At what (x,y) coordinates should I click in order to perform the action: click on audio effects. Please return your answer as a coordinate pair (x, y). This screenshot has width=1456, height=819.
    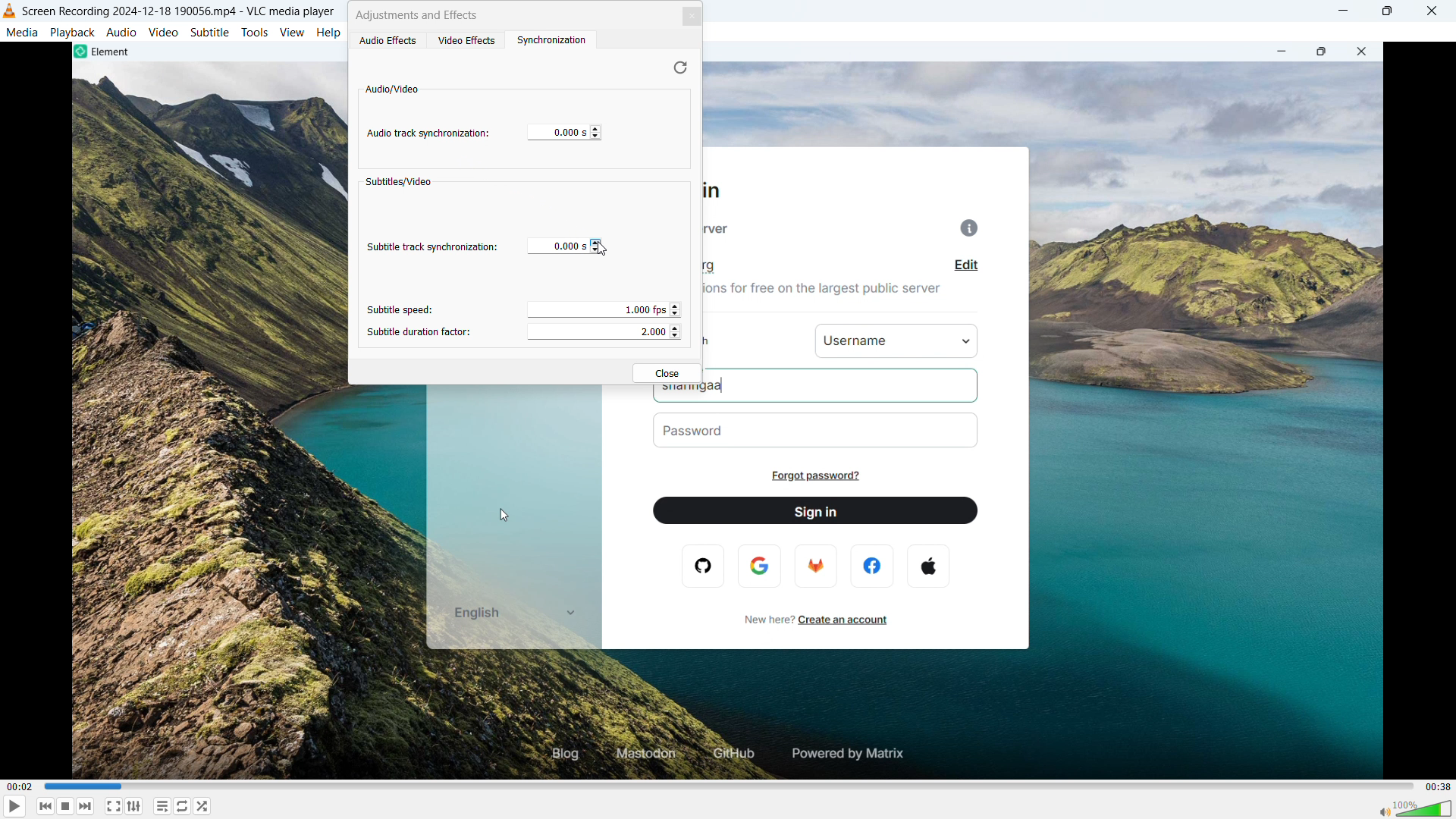
    Looking at the image, I should click on (389, 41).